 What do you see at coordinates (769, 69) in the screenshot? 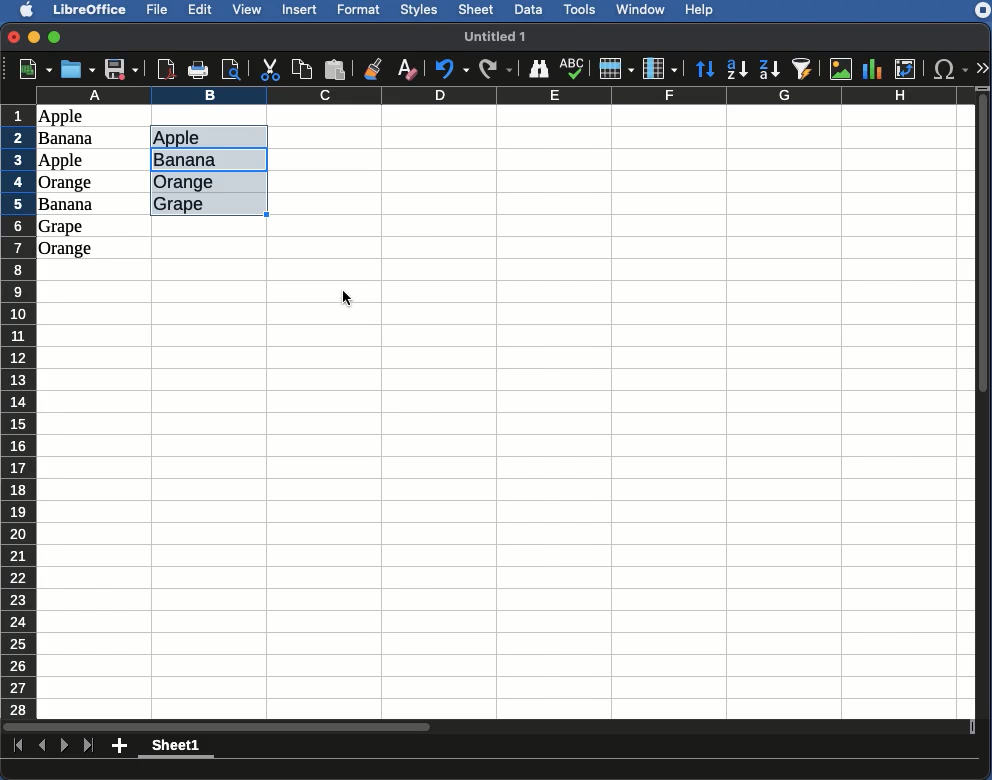
I see `Descending` at bounding box center [769, 69].